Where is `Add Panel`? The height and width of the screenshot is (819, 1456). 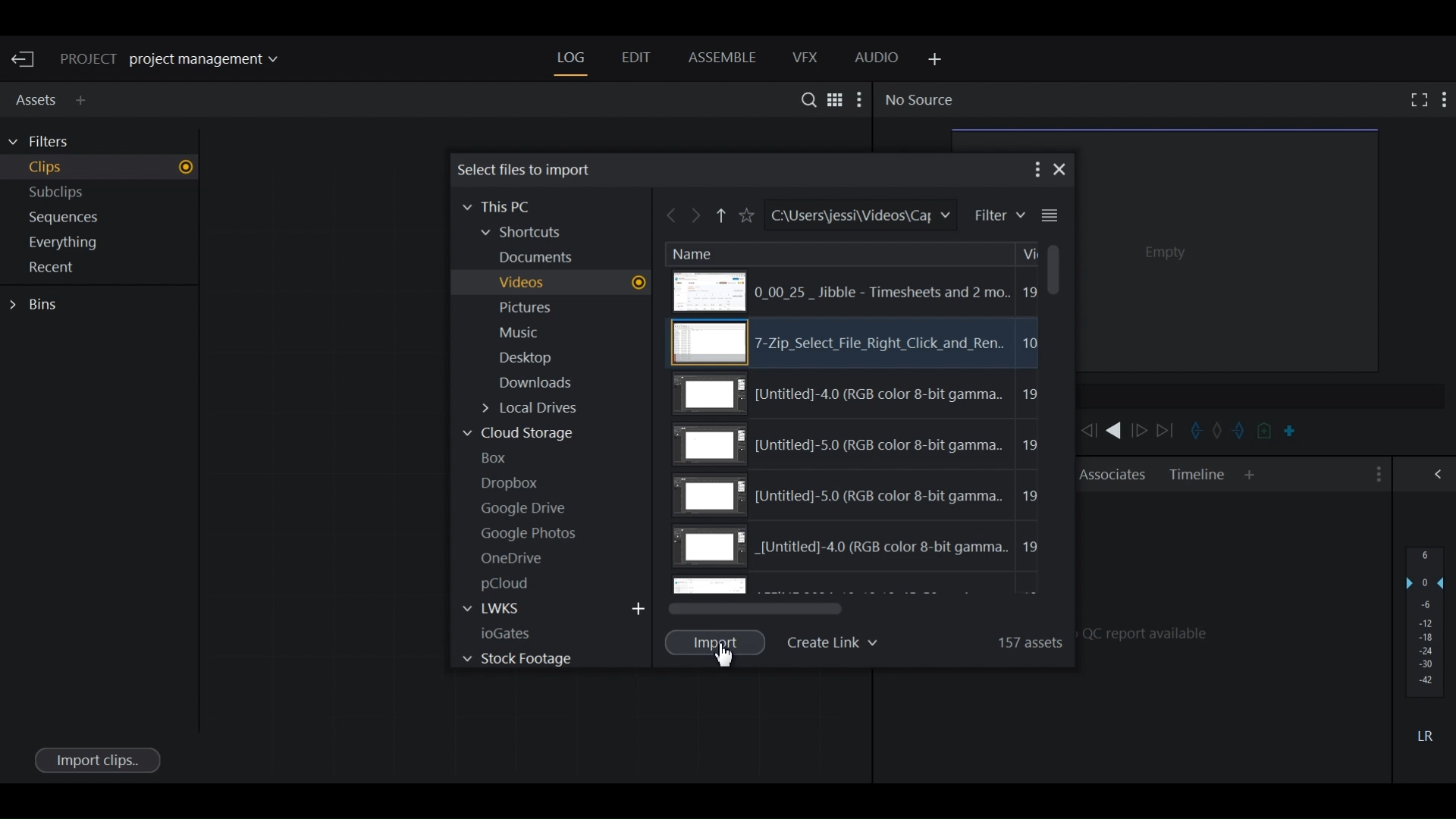
Add Panel is located at coordinates (84, 100).